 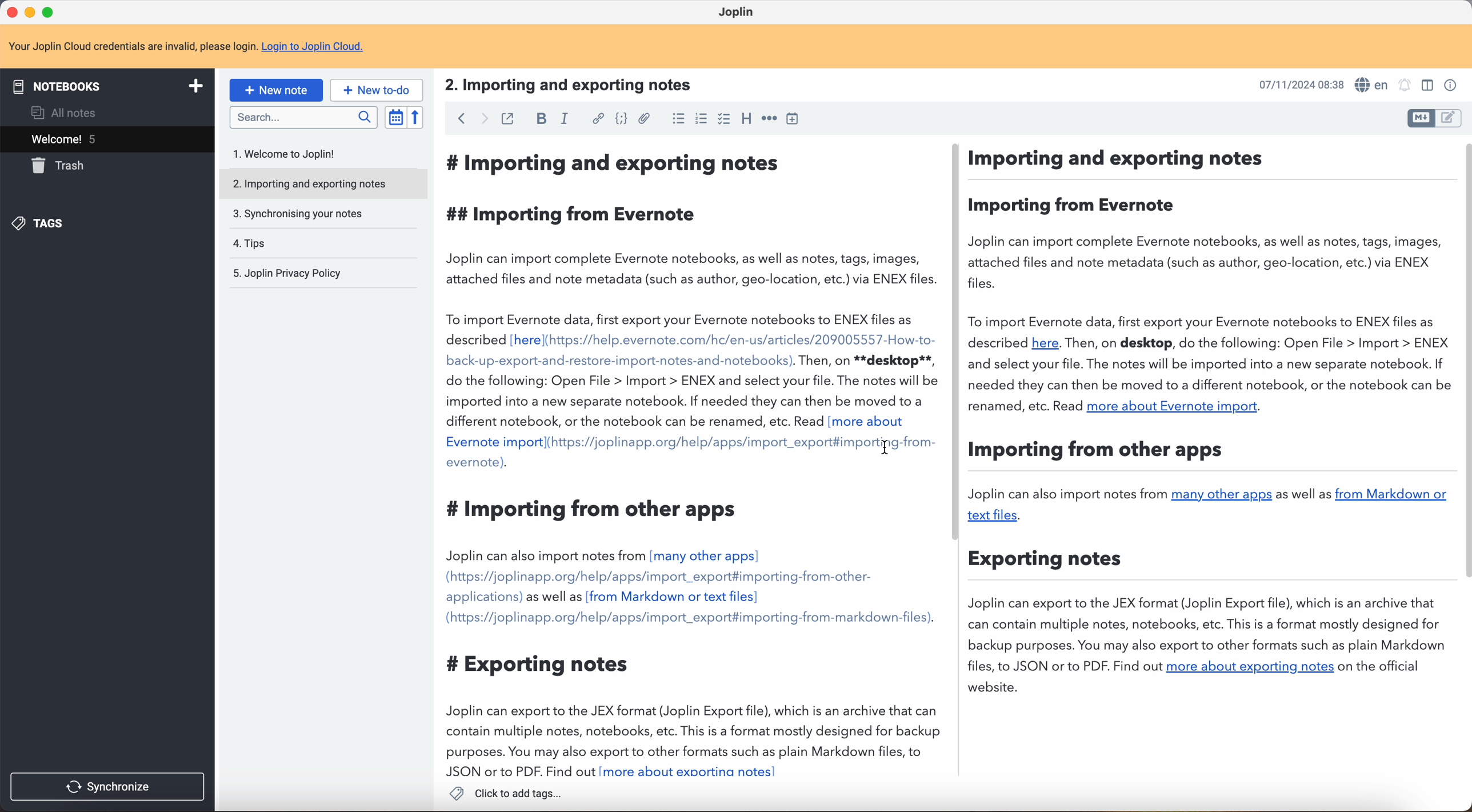 What do you see at coordinates (42, 224) in the screenshot?
I see `tags` at bounding box center [42, 224].